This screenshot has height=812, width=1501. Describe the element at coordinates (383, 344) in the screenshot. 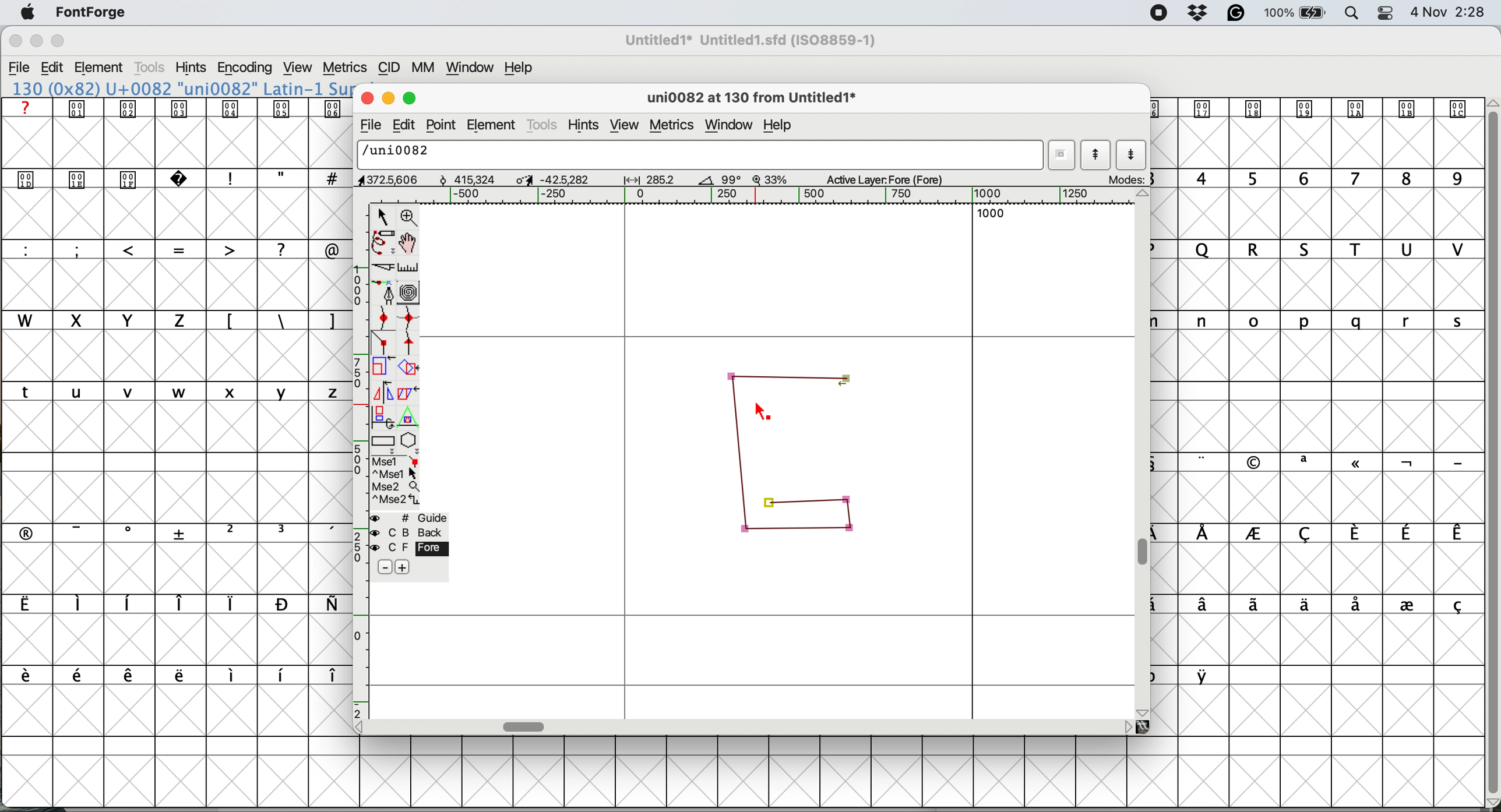

I see `add a corner point` at that location.